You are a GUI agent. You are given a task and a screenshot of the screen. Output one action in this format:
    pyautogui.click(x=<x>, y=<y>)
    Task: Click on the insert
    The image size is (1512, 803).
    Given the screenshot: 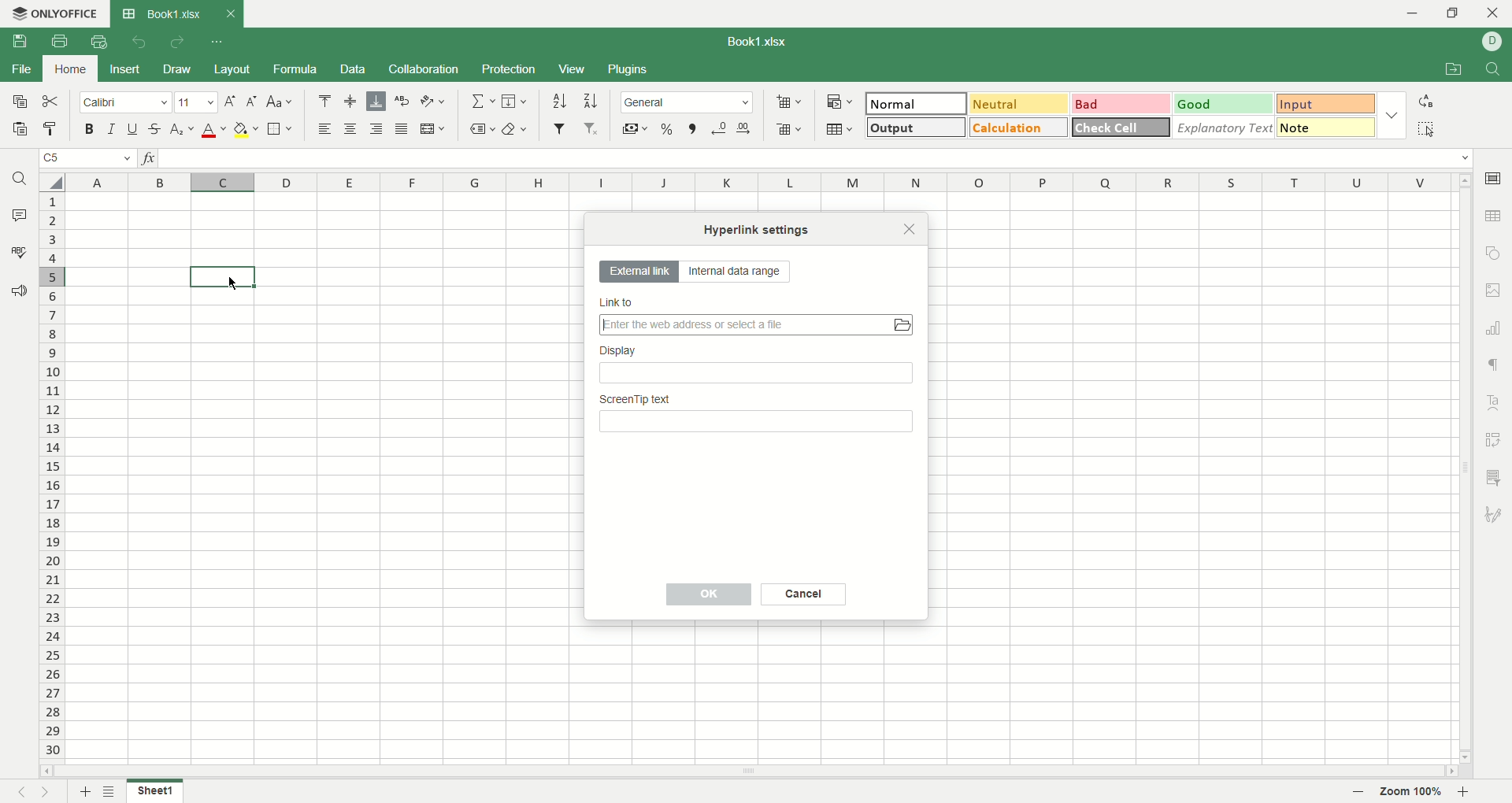 What is the action you would take?
    pyautogui.click(x=126, y=68)
    